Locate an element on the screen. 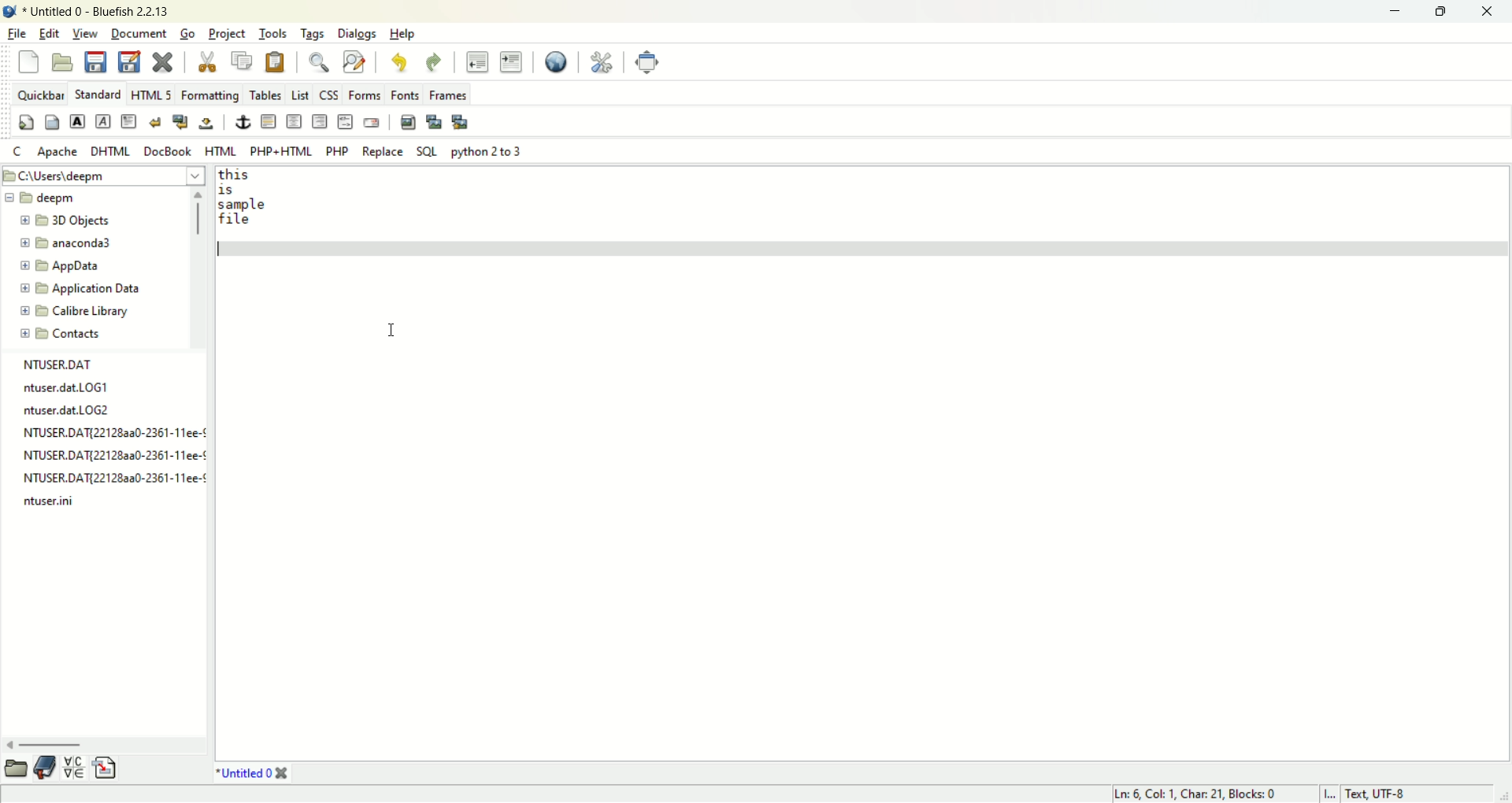 The width and height of the screenshot is (1512, 803). DOCBOOK is located at coordinates (169, 150).